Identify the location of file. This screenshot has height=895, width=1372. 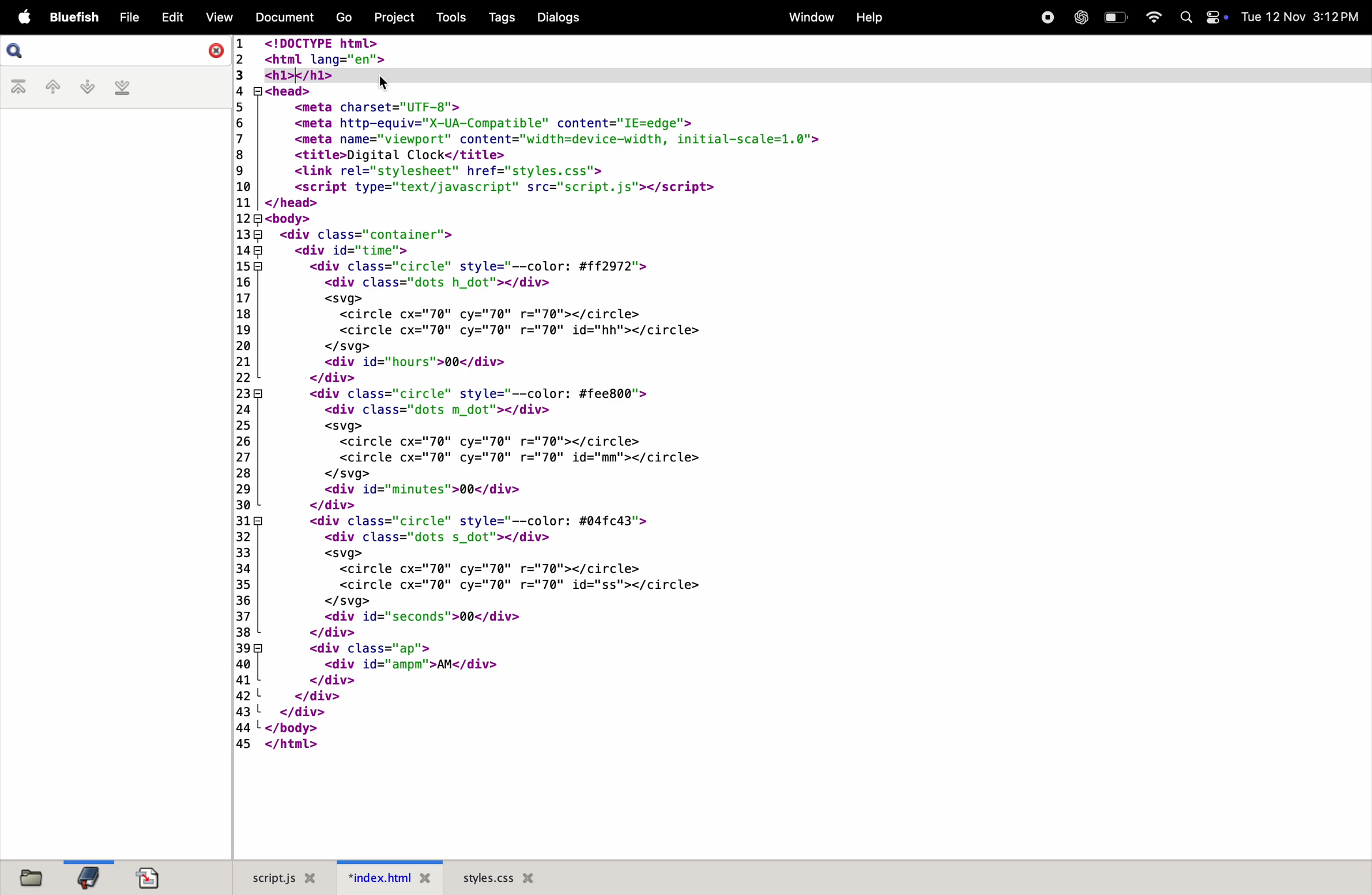
(129, 18).